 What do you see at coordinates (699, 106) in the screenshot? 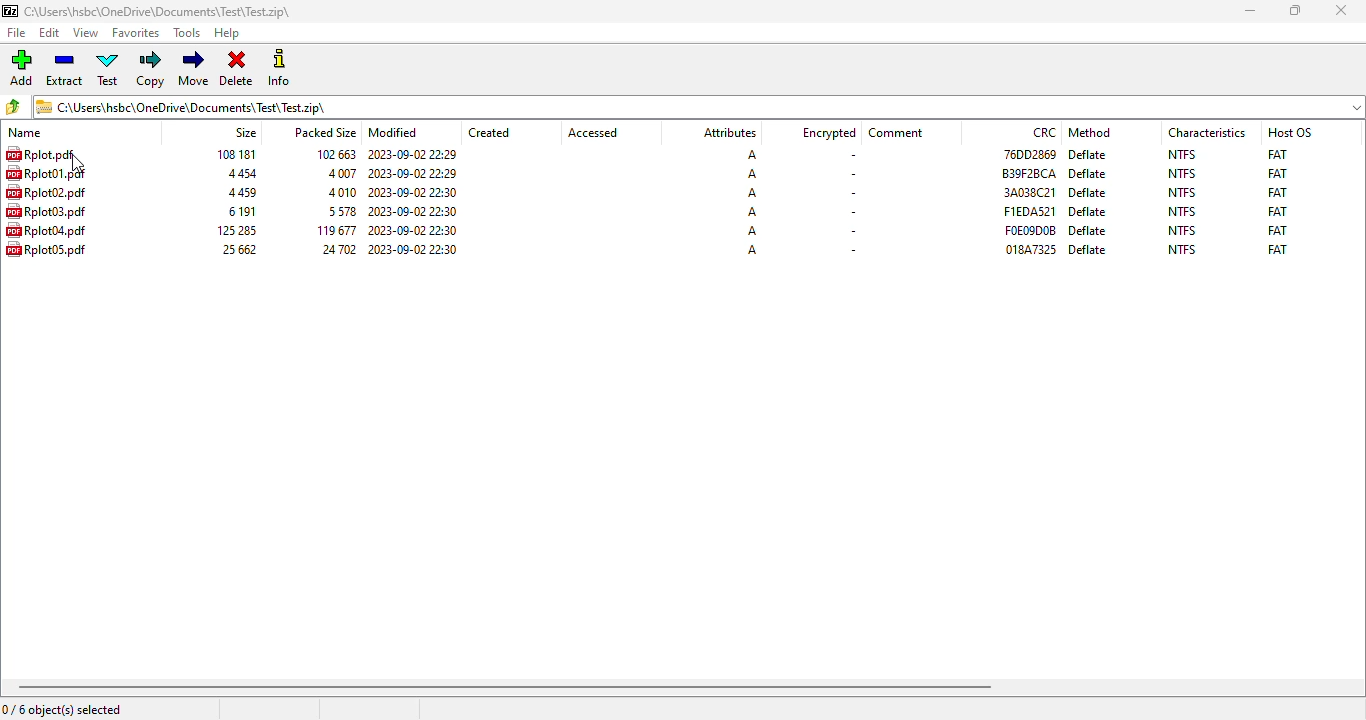
I see `.zip archive` at bounding box center [699, 106].